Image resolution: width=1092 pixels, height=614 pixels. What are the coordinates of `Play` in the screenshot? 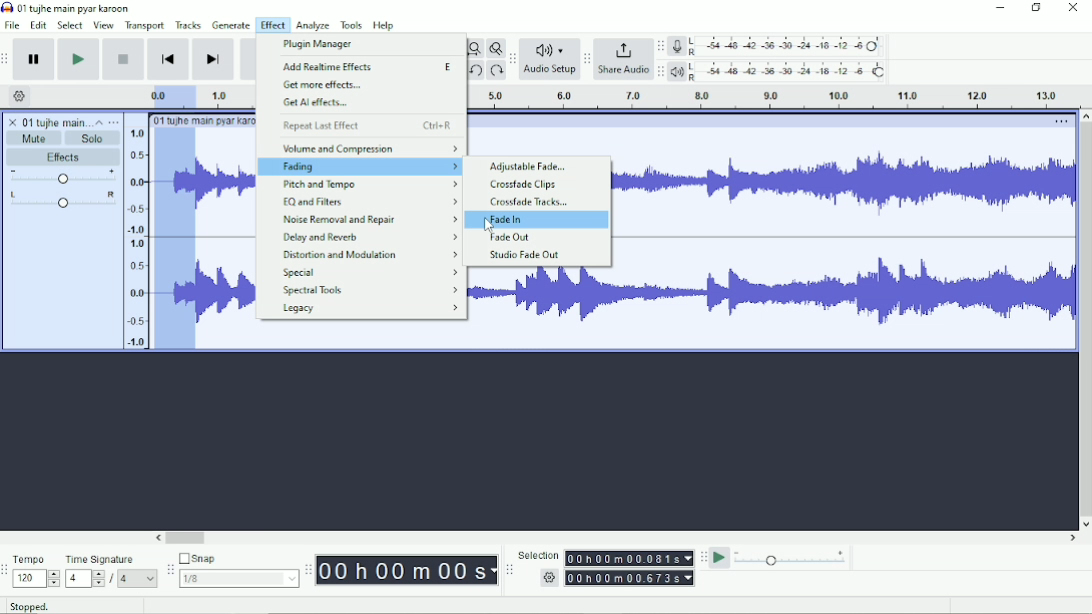 It's located at (78, 59).